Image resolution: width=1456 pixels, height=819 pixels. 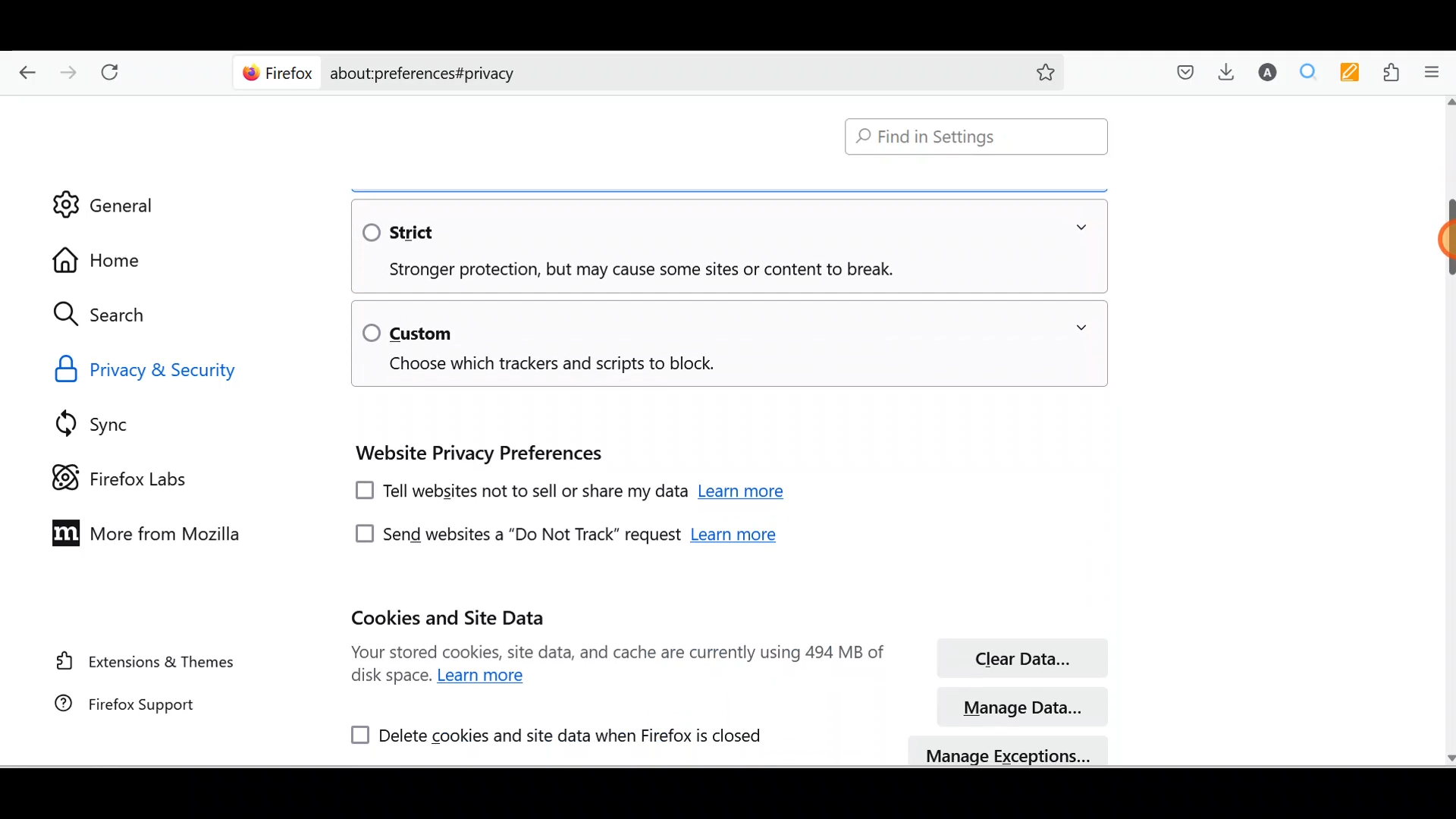 I want to click on Stronger protection, but may cause some sites or content to break., so click(x=628, y=271).